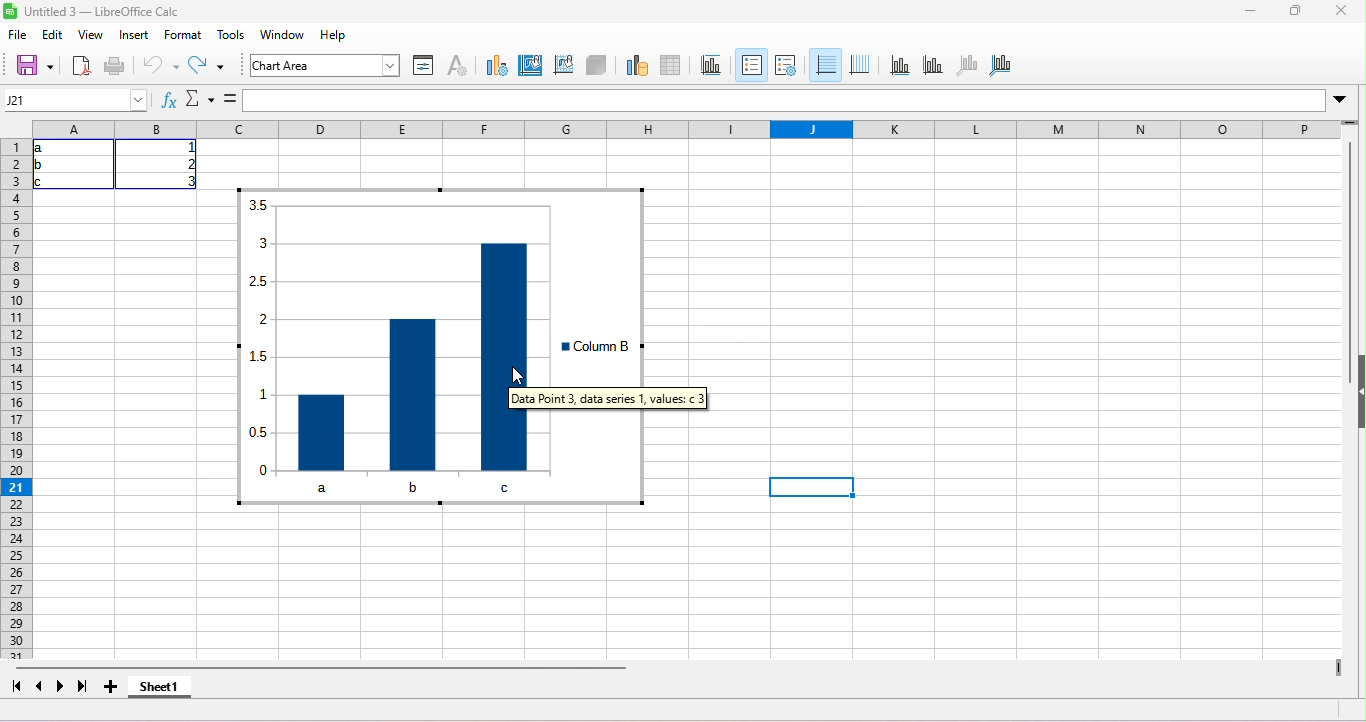  What do you see at coordinates (77, 101) in the screenshot?
I see `name box` at bounding box center [77, 101].